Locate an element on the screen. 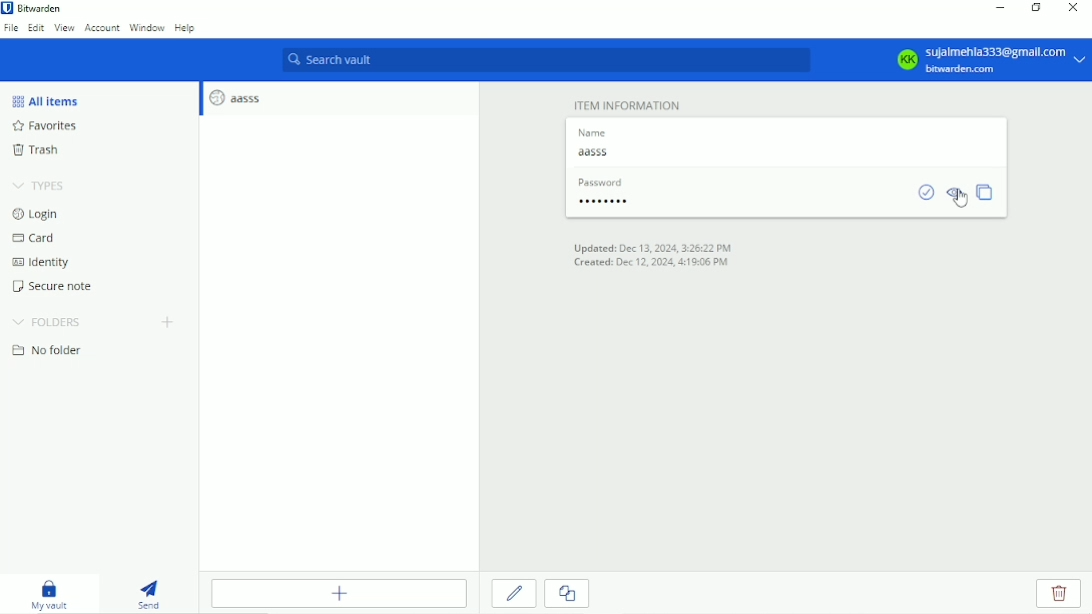 This screenshot has height=614, width=1092. Check if password has been exposed is located at coordinates (926, 191).